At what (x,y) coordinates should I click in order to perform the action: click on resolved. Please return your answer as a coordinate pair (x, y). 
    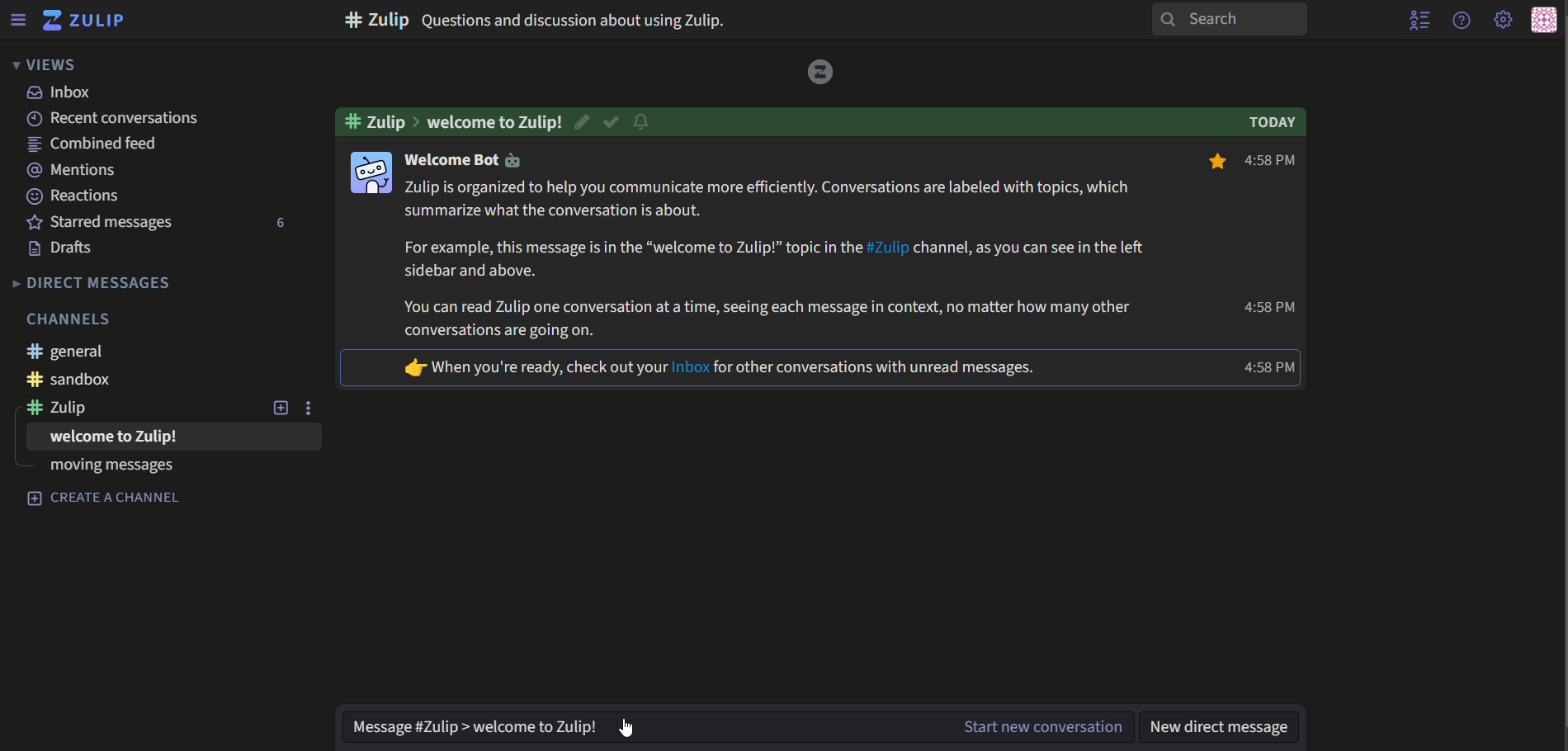
    Looking at the image, I should click on (612, 122).